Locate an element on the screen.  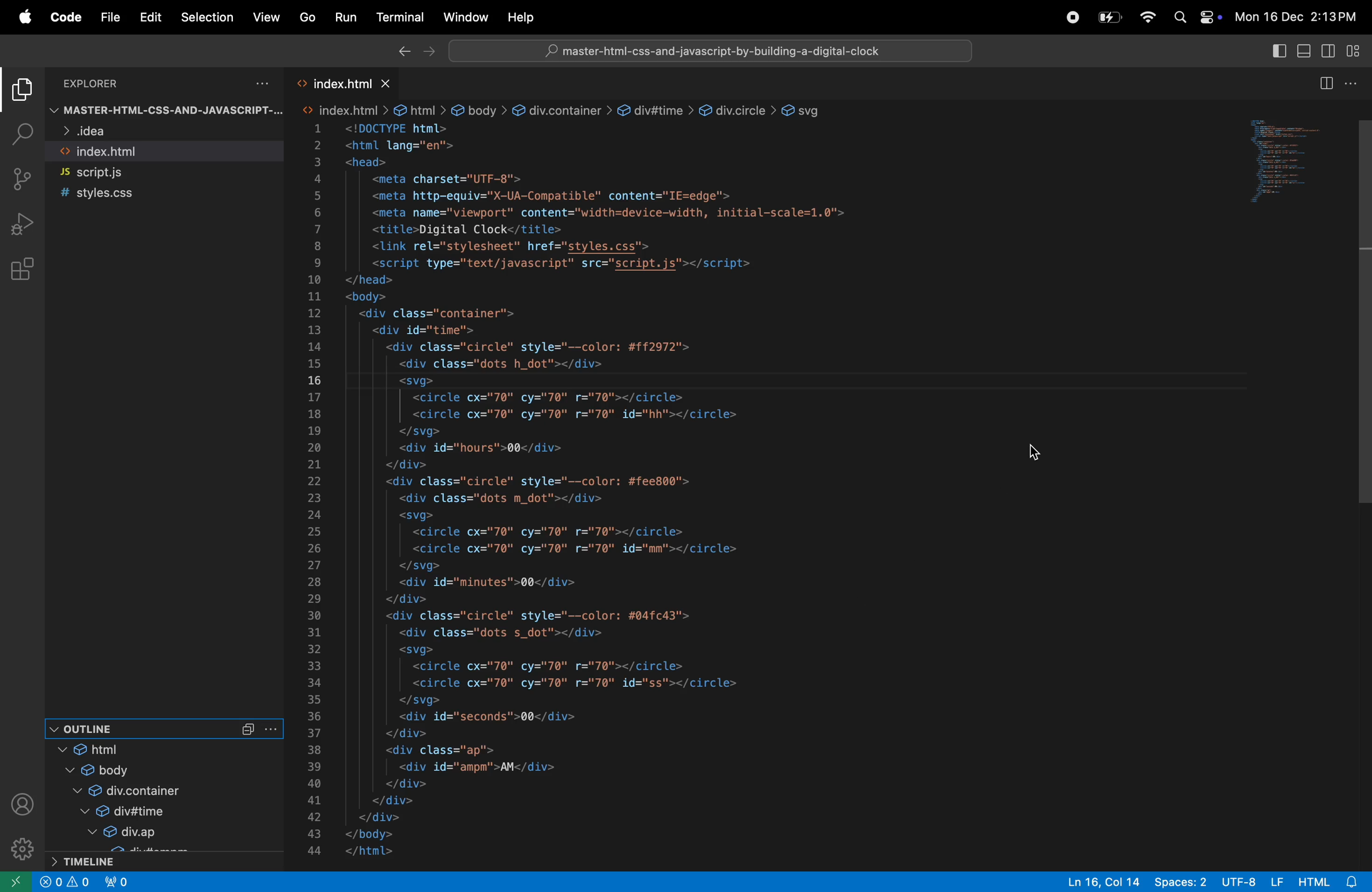
selection is located at coordinates (205, 18).